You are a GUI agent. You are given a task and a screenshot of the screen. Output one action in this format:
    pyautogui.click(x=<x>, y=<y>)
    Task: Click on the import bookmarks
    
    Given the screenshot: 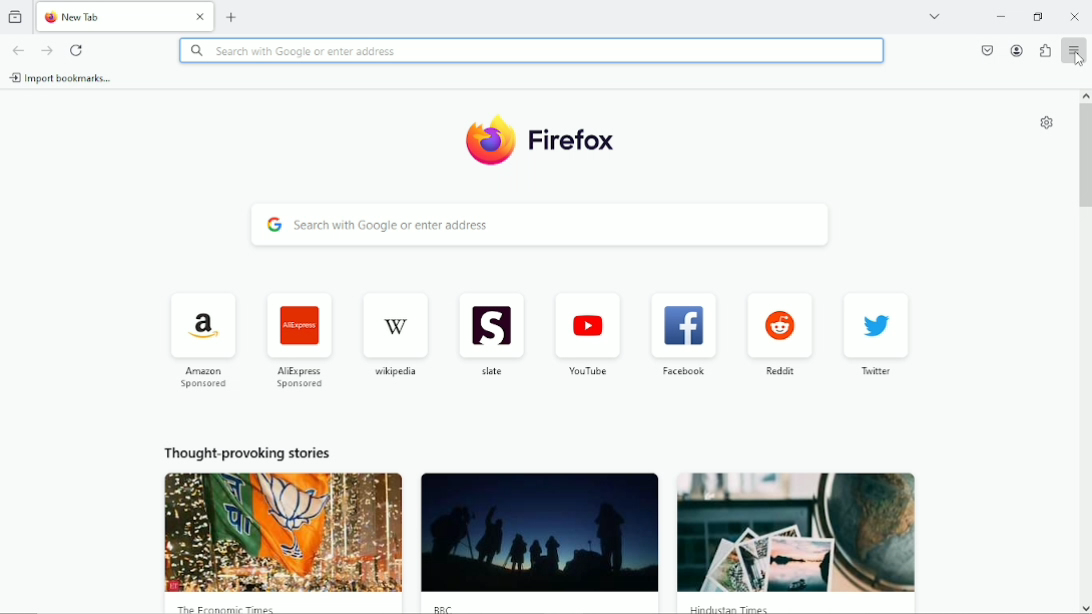 What is the action you would take?
    pyautogui.click(x=62, y=78)
    